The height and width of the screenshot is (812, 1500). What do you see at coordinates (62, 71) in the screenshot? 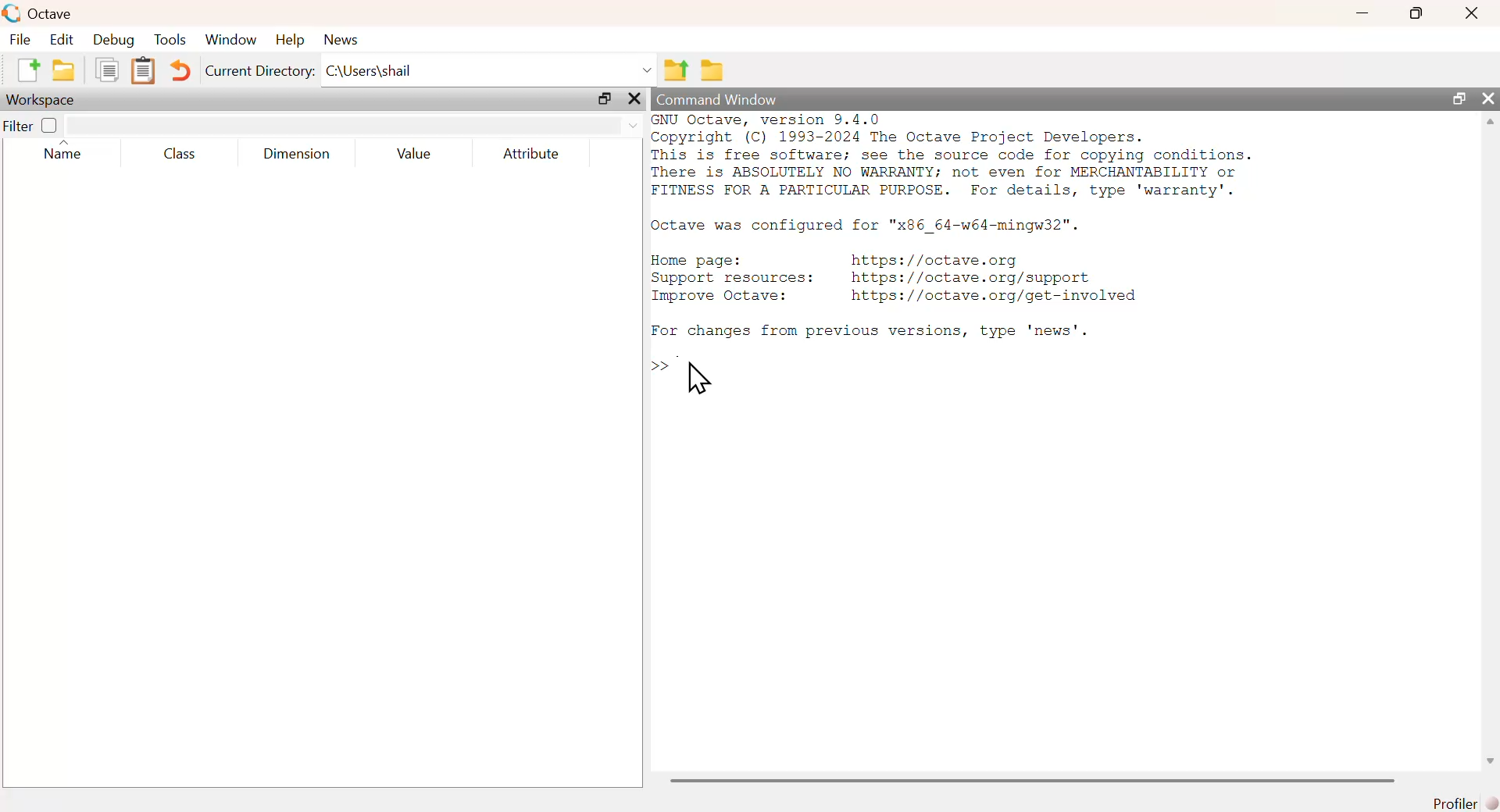
I see `open an existing file in editor` at bounding box center [62, 71].